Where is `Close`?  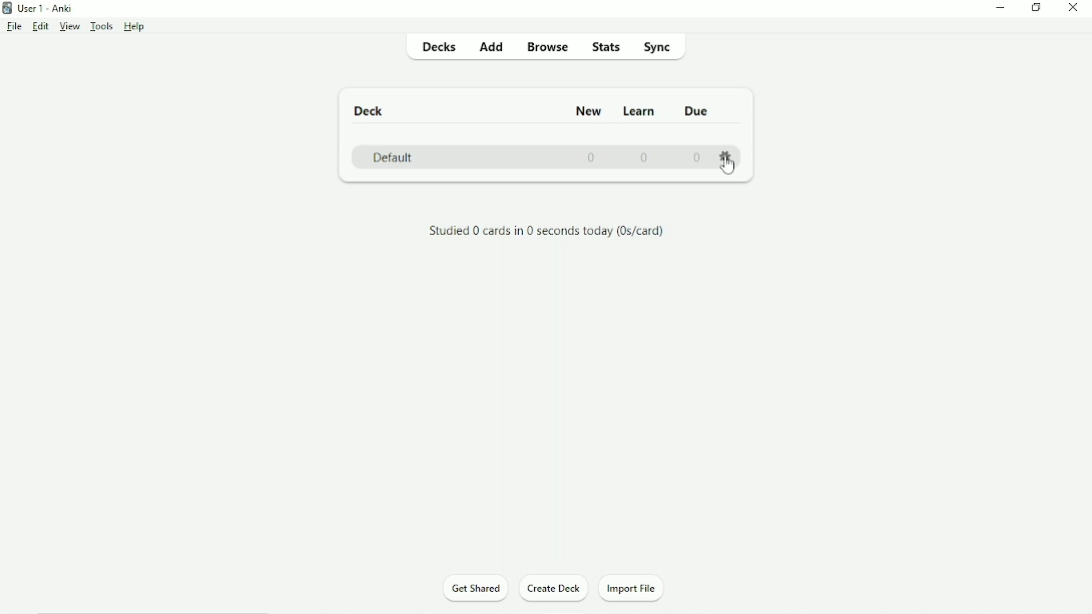 Close is located at coordinates (1076, 8).